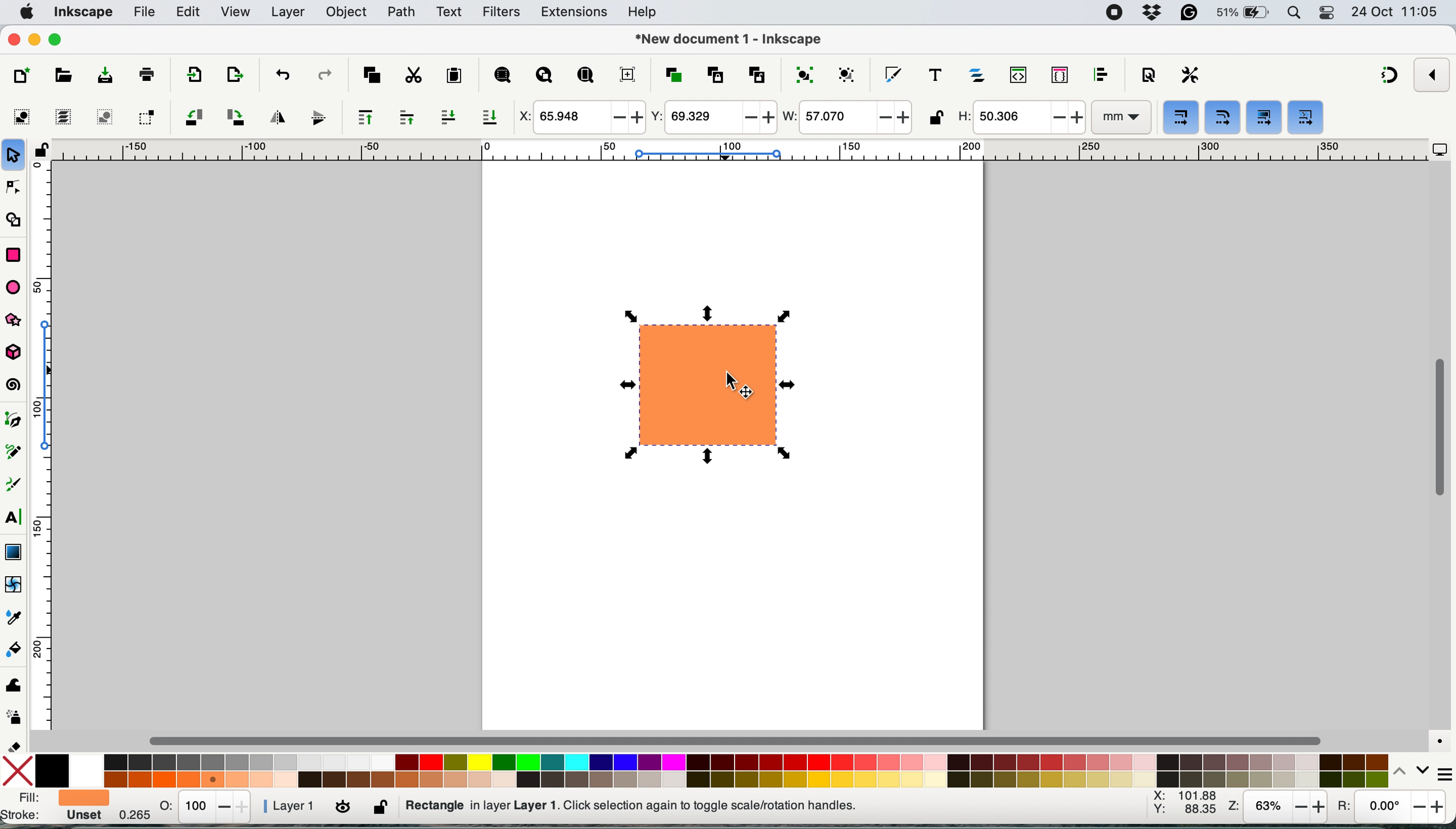  I want to click on switch between colors, so click(1404, 770).